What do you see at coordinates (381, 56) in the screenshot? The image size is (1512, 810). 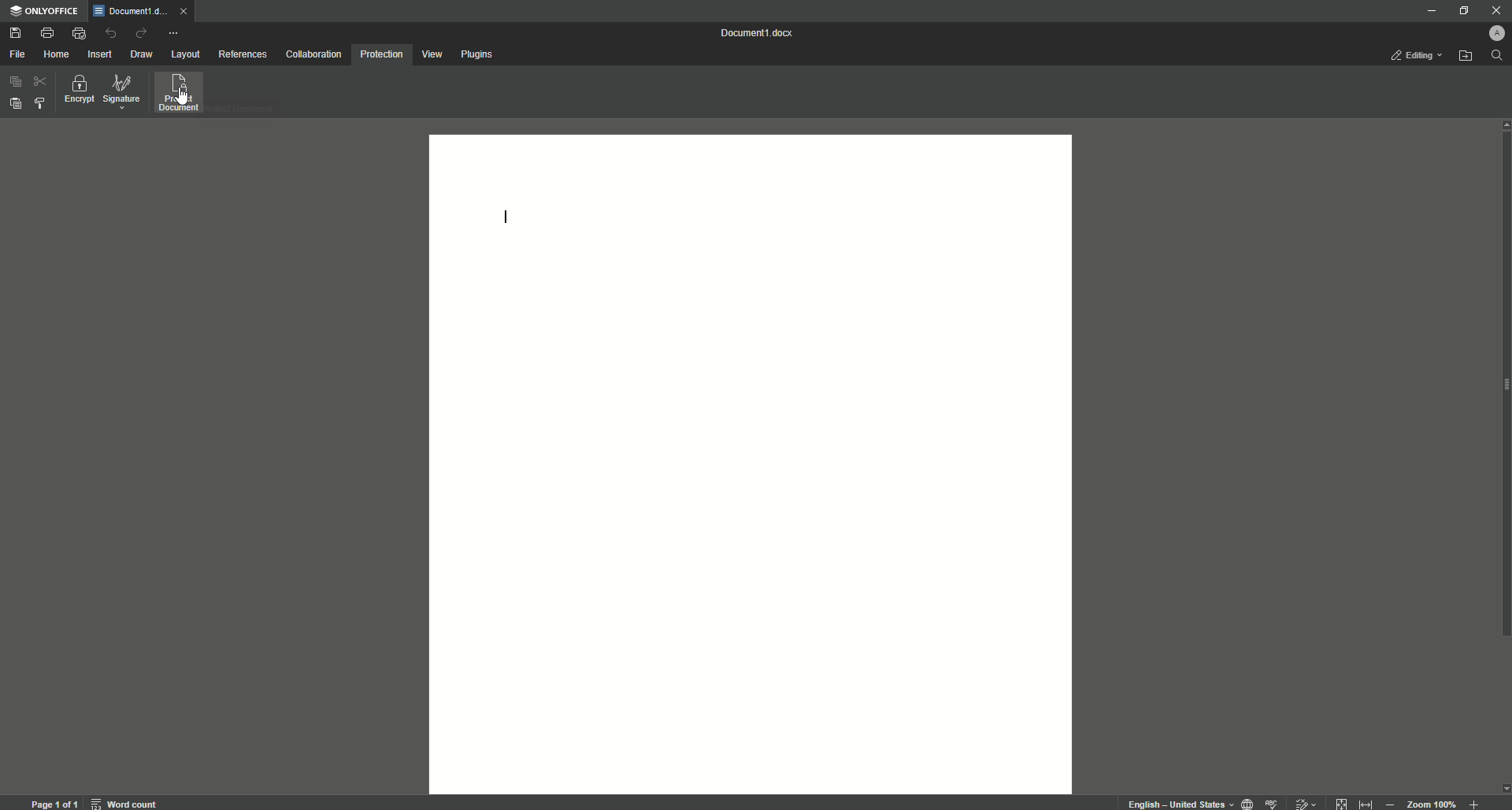 I see `Protection` at bounding box center [381, 56].